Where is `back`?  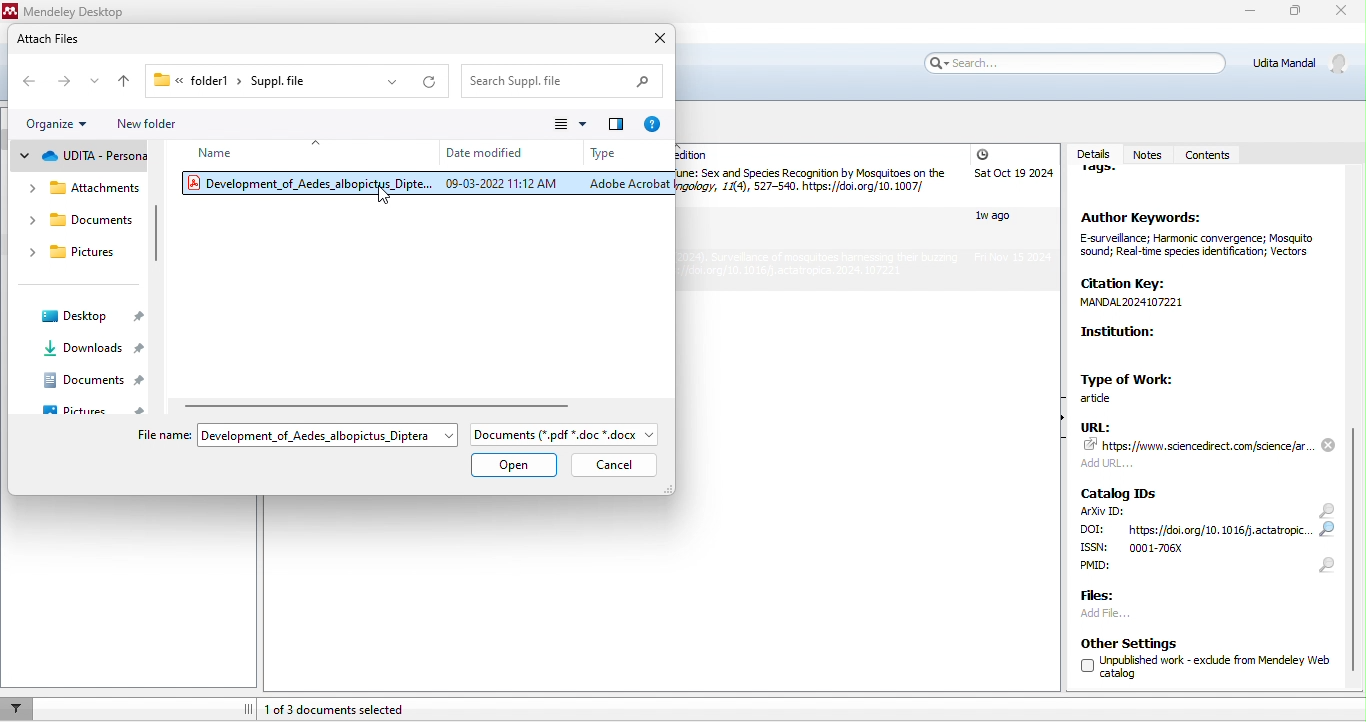 back is located at coordinates (27, 81).